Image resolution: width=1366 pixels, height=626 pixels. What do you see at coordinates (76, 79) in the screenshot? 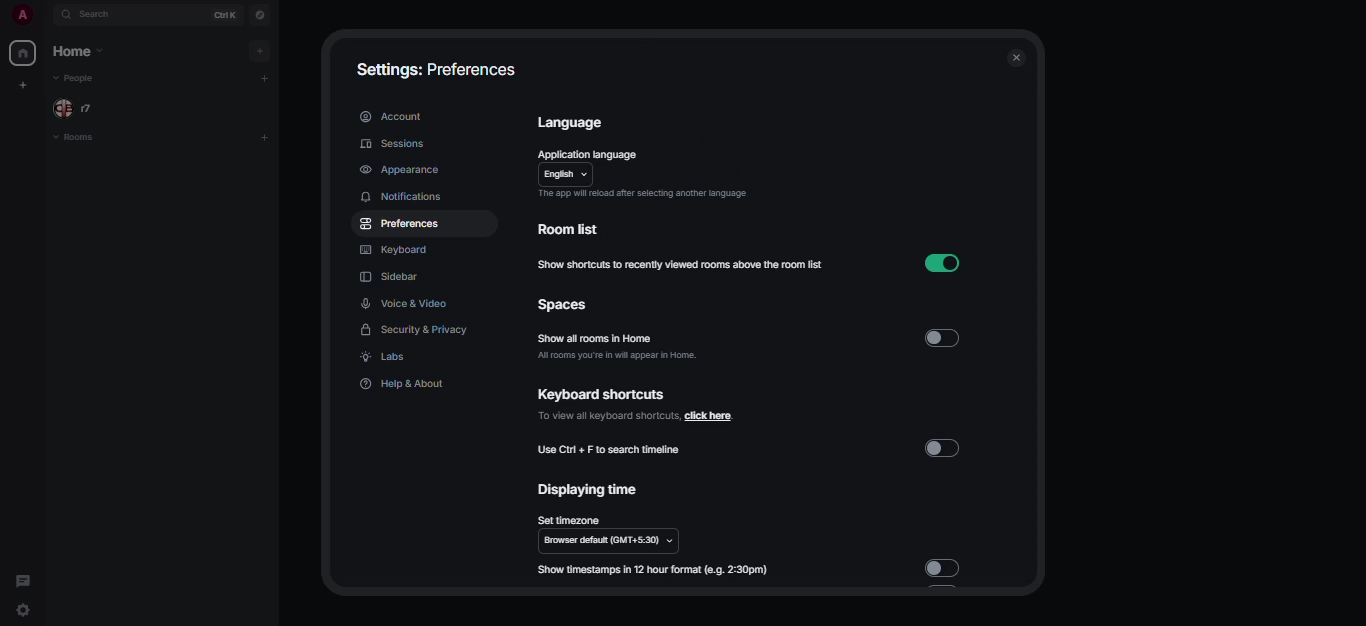
I see `people` at bounding box center [76, 79].